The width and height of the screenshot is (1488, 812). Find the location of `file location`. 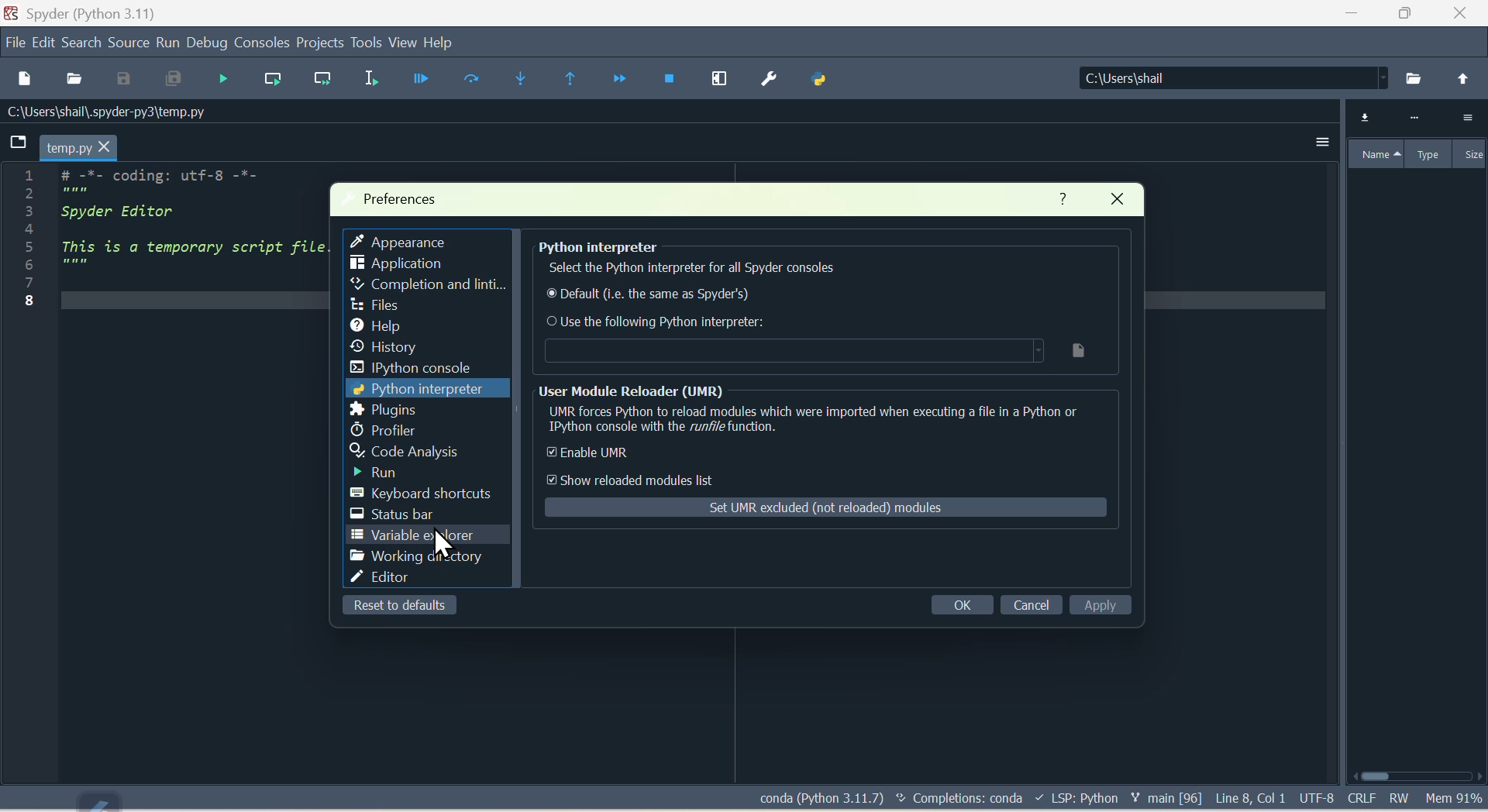

file location is located at coordinates (816, 351).